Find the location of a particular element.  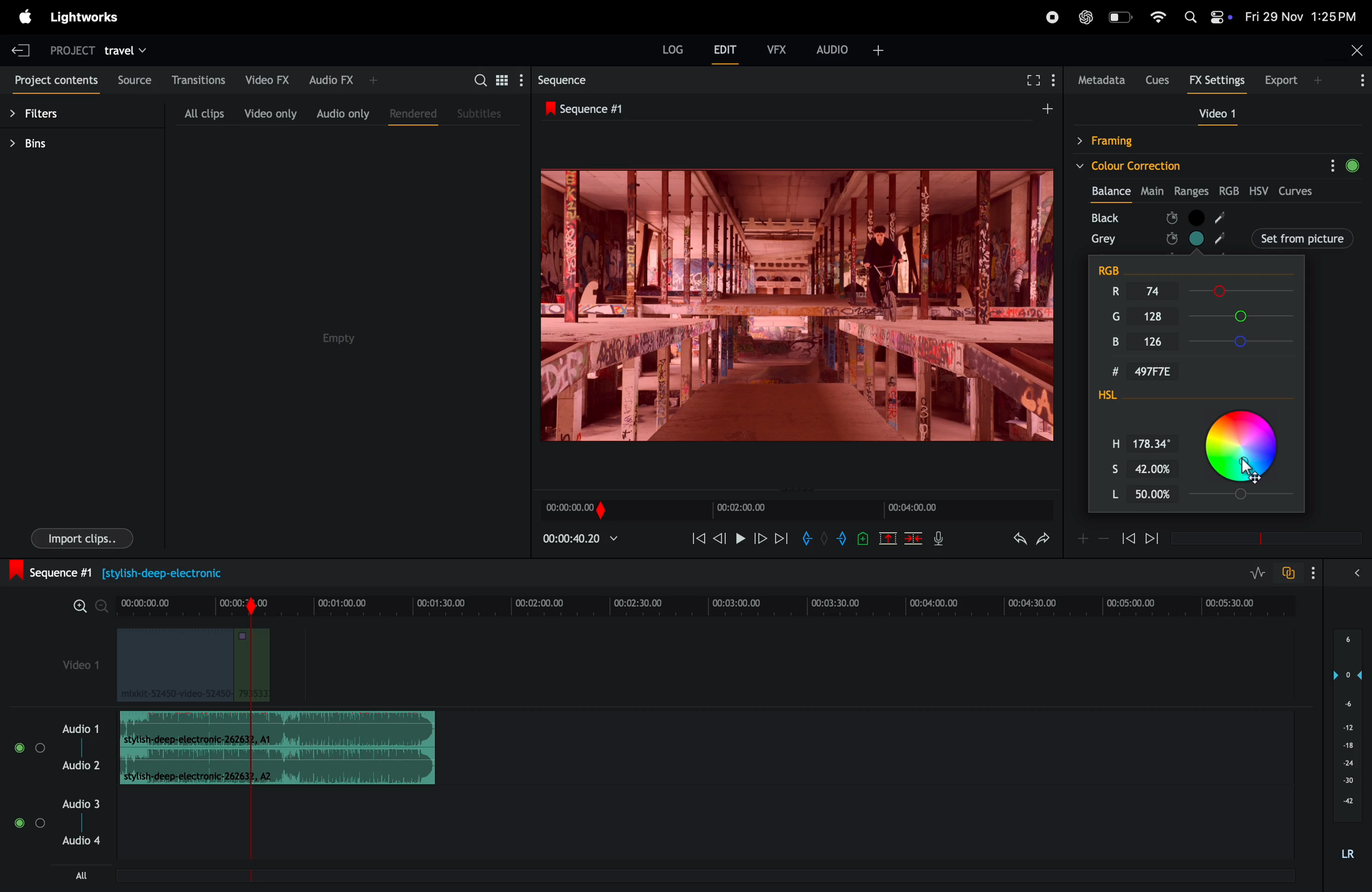

all clips is located at coordinates (203, 113).